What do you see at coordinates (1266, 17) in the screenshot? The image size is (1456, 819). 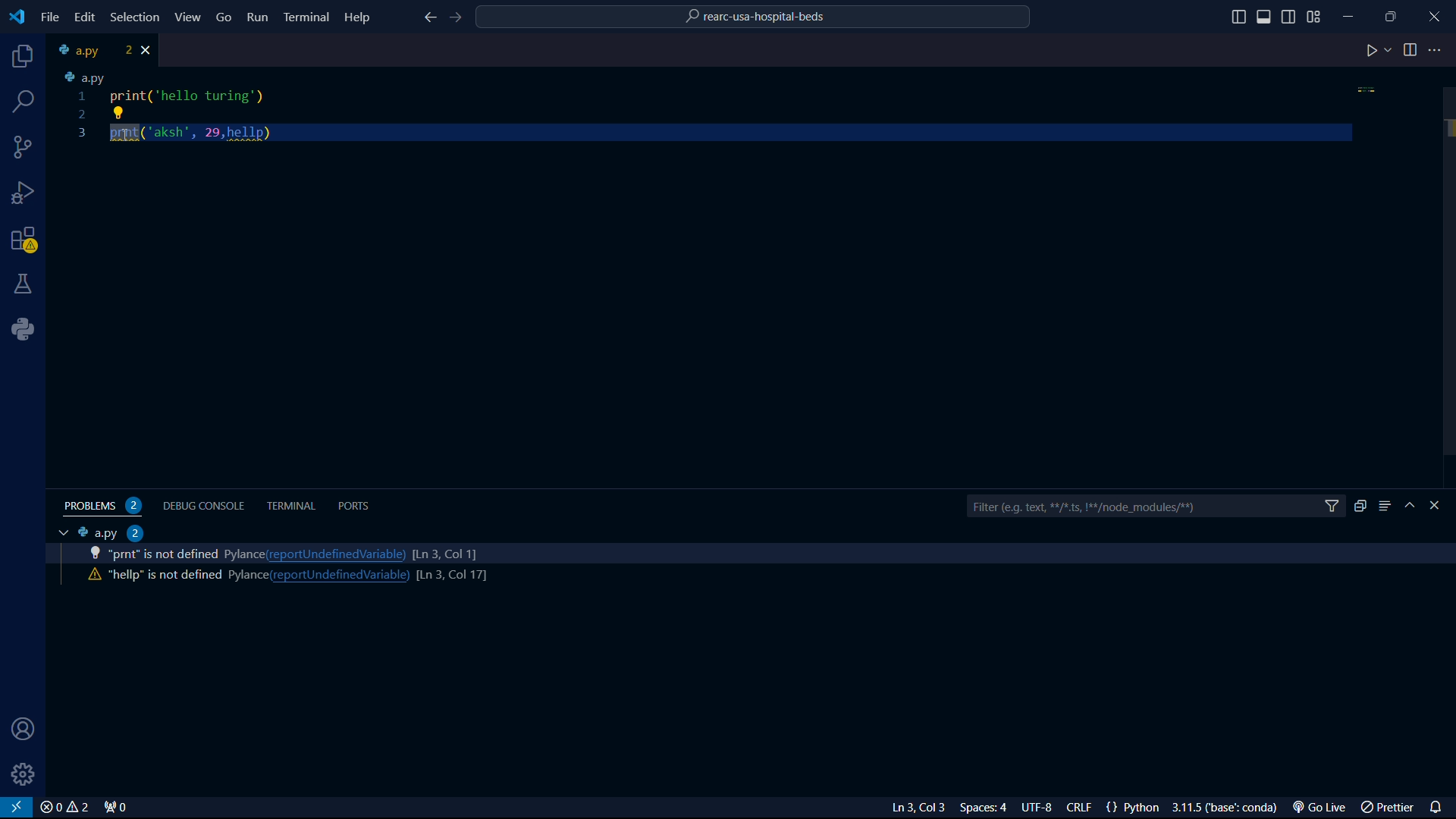 I see `toggle sidebar` at bounding box center [1266, 17].